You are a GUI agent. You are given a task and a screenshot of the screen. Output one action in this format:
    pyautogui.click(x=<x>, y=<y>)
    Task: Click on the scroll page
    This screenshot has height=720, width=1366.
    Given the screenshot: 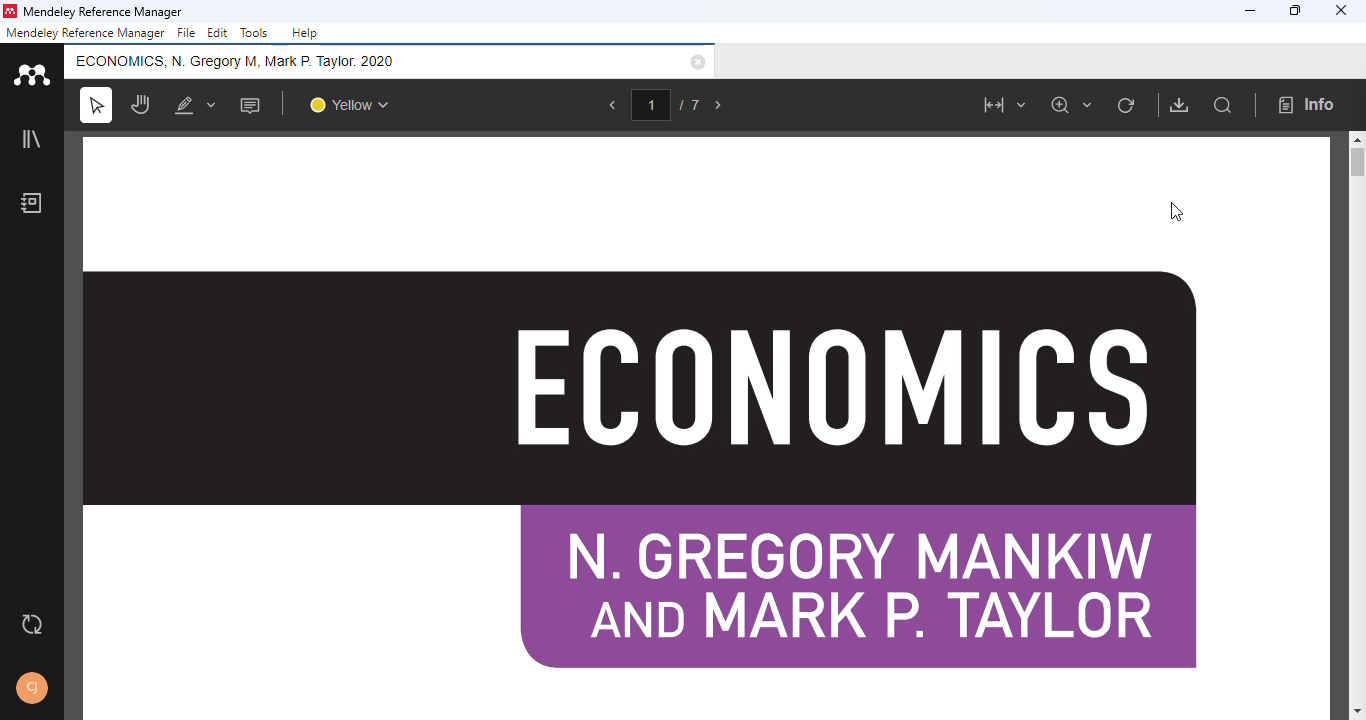 What is the action you would take?
    pyautogui.click(x=142, y=104)
    